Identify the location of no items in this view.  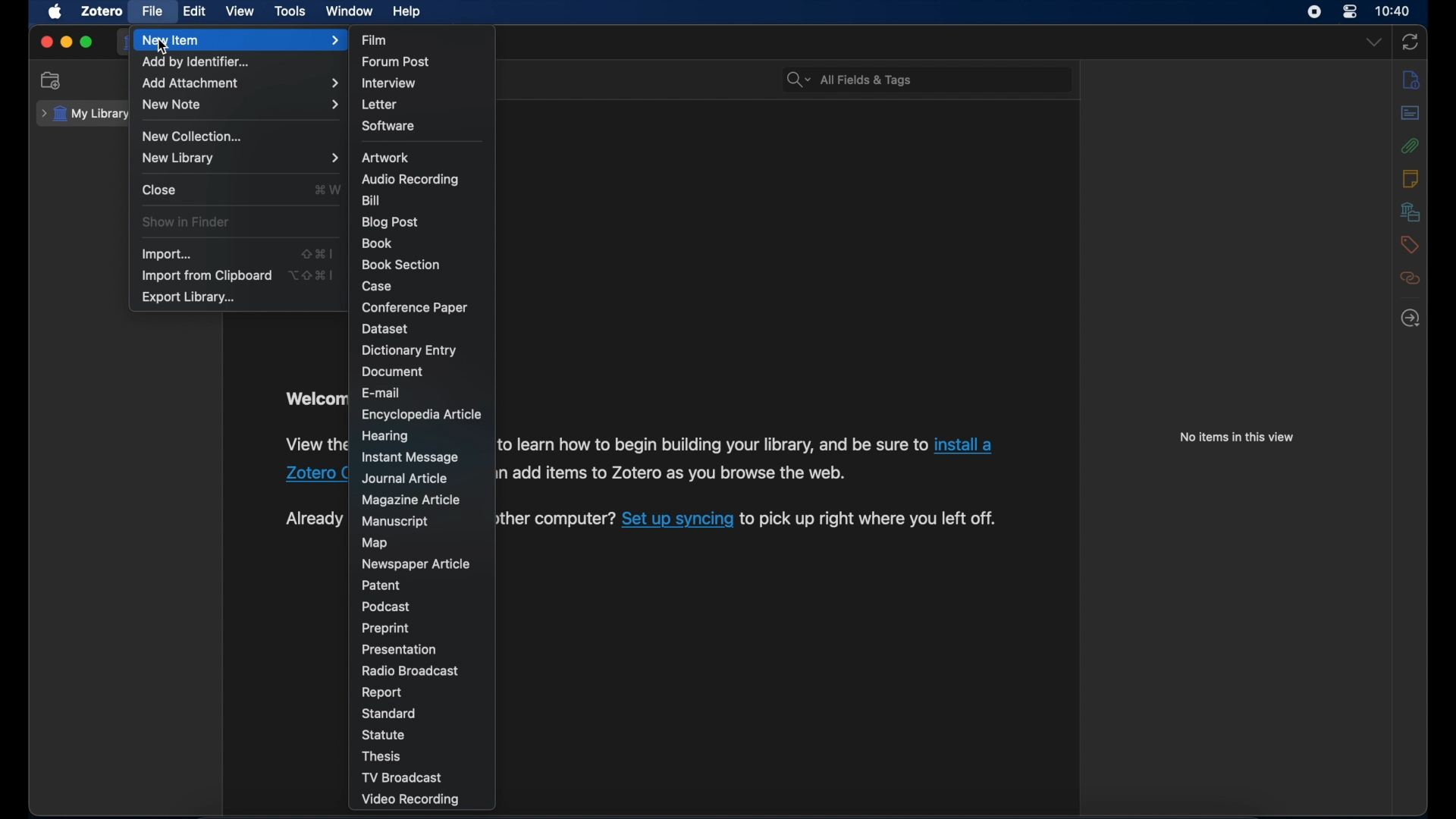
(1237, 437).